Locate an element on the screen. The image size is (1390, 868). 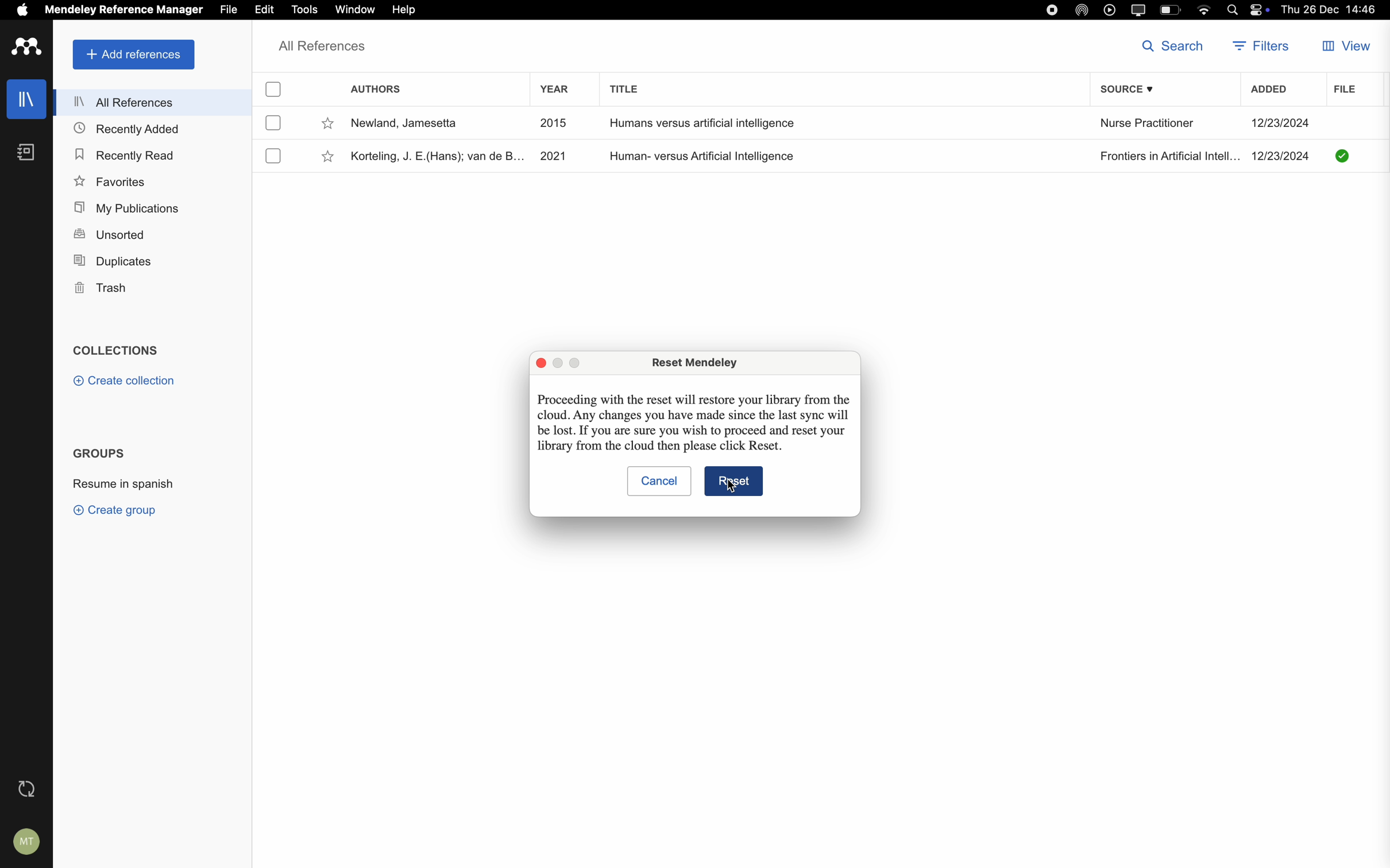
create group is located at coordinates (115, 512).